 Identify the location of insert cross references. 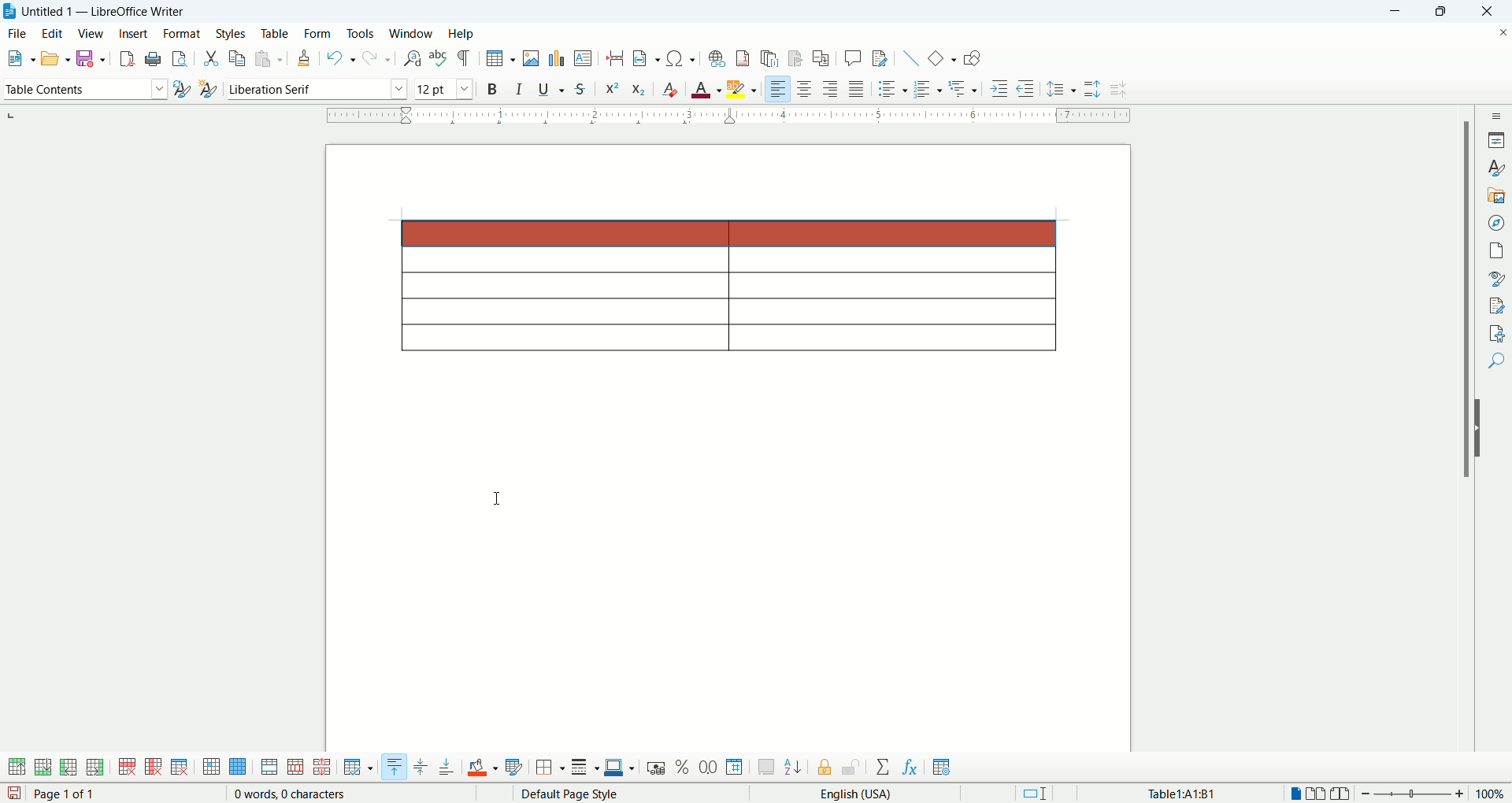
(823, 59).